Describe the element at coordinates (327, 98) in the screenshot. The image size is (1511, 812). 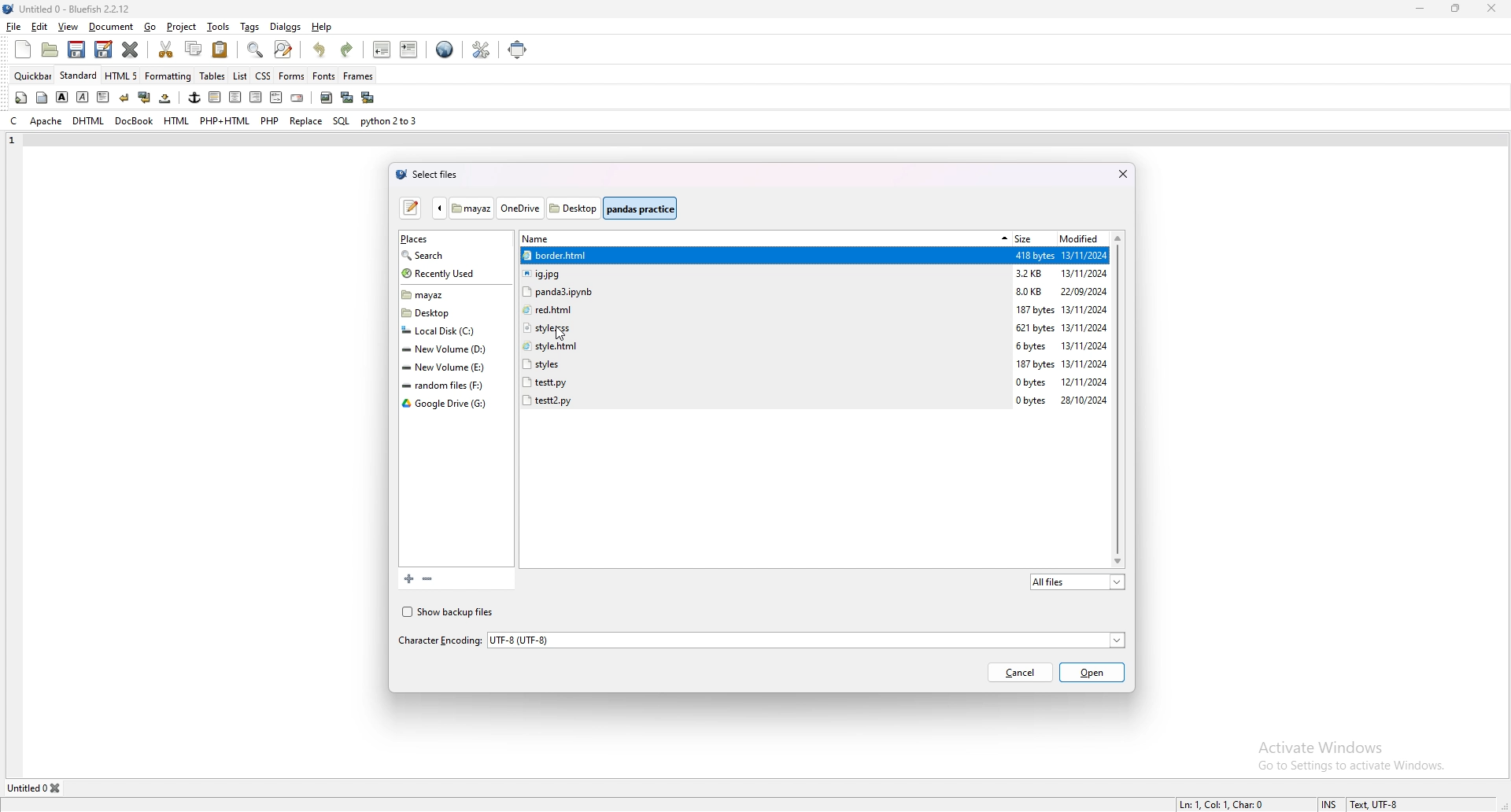
I see `insert image` at that location.